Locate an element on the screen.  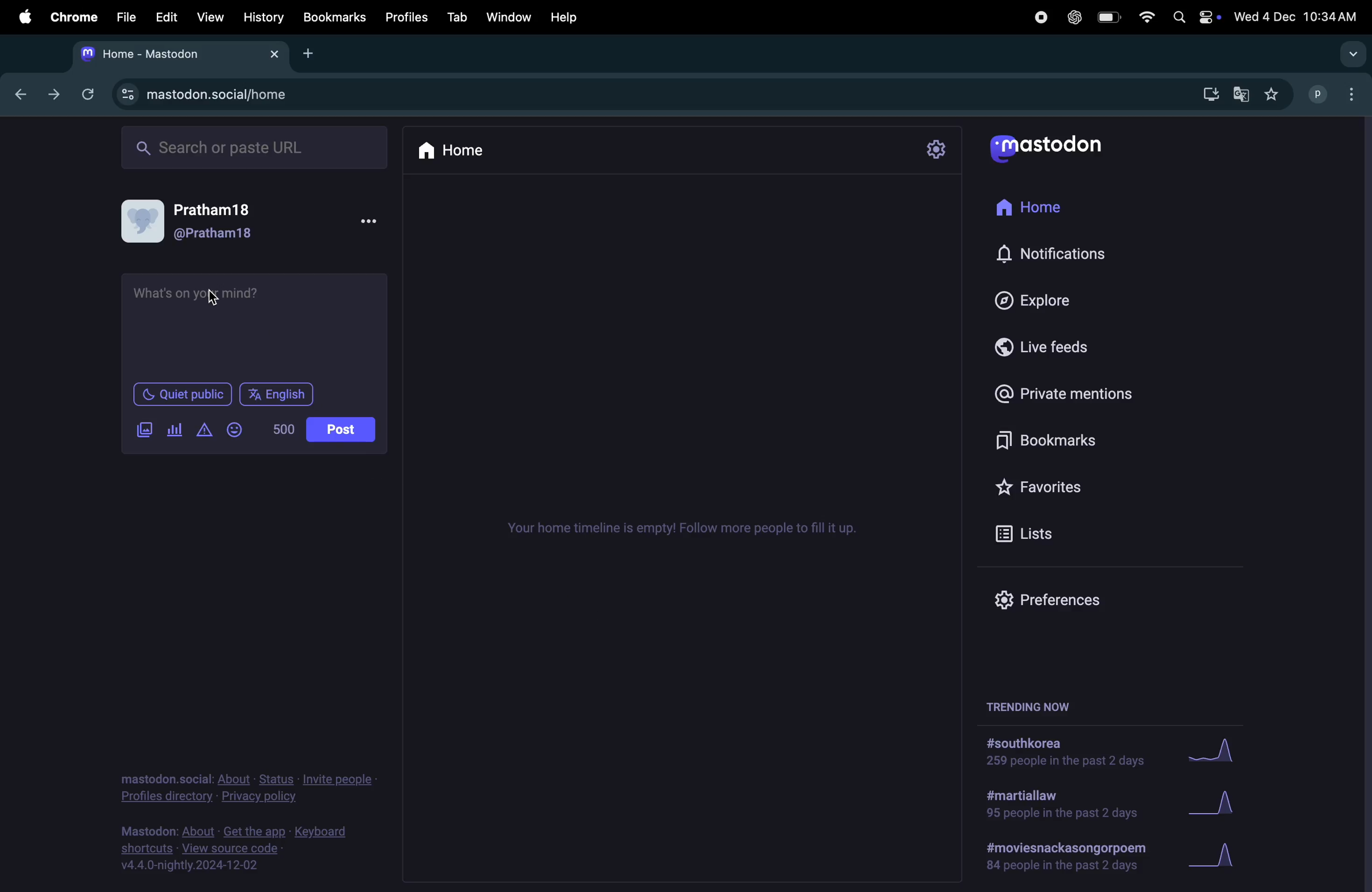
graph is located at coordinates (1215, 755).